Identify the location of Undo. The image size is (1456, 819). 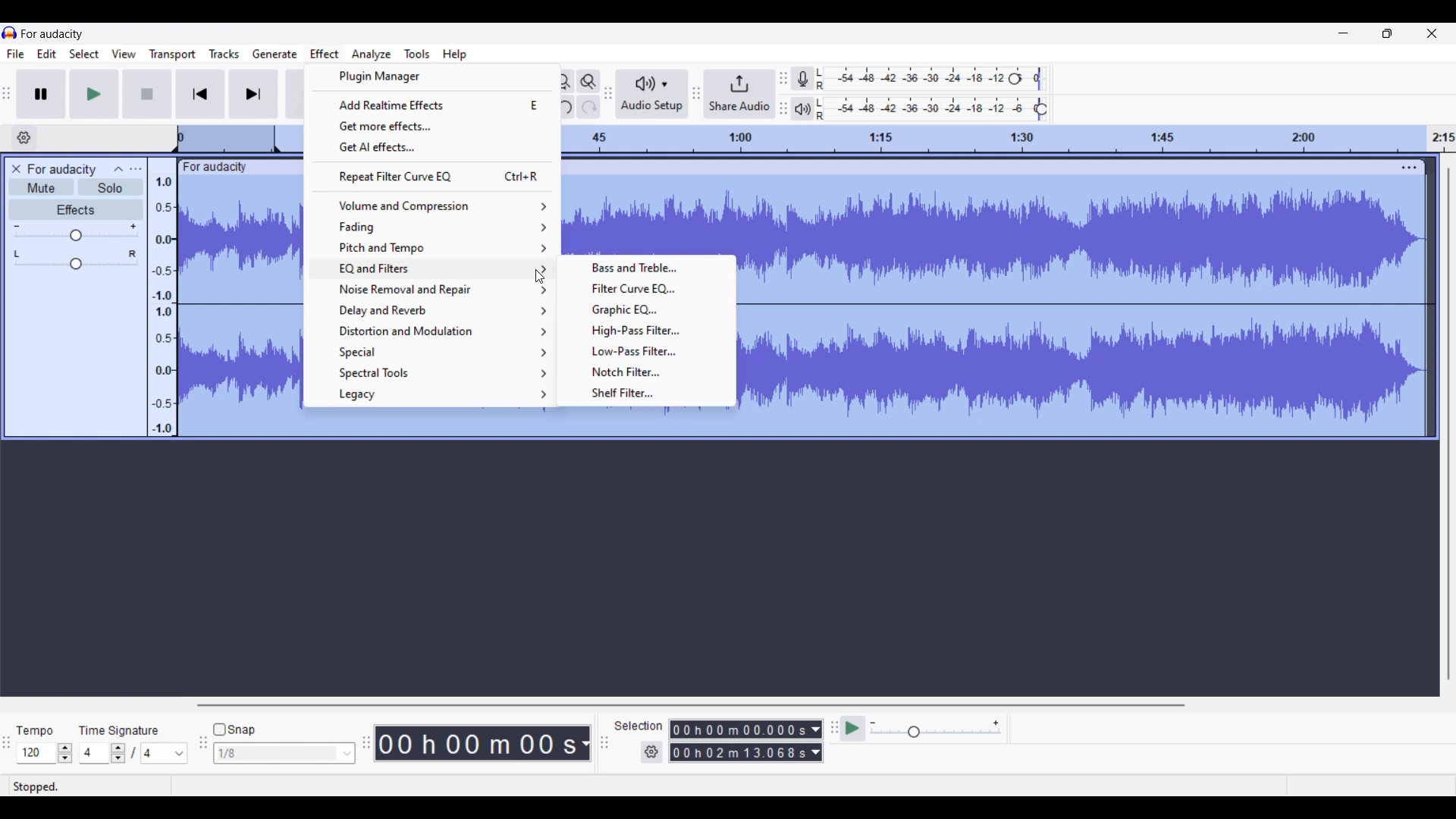
(563, 106).